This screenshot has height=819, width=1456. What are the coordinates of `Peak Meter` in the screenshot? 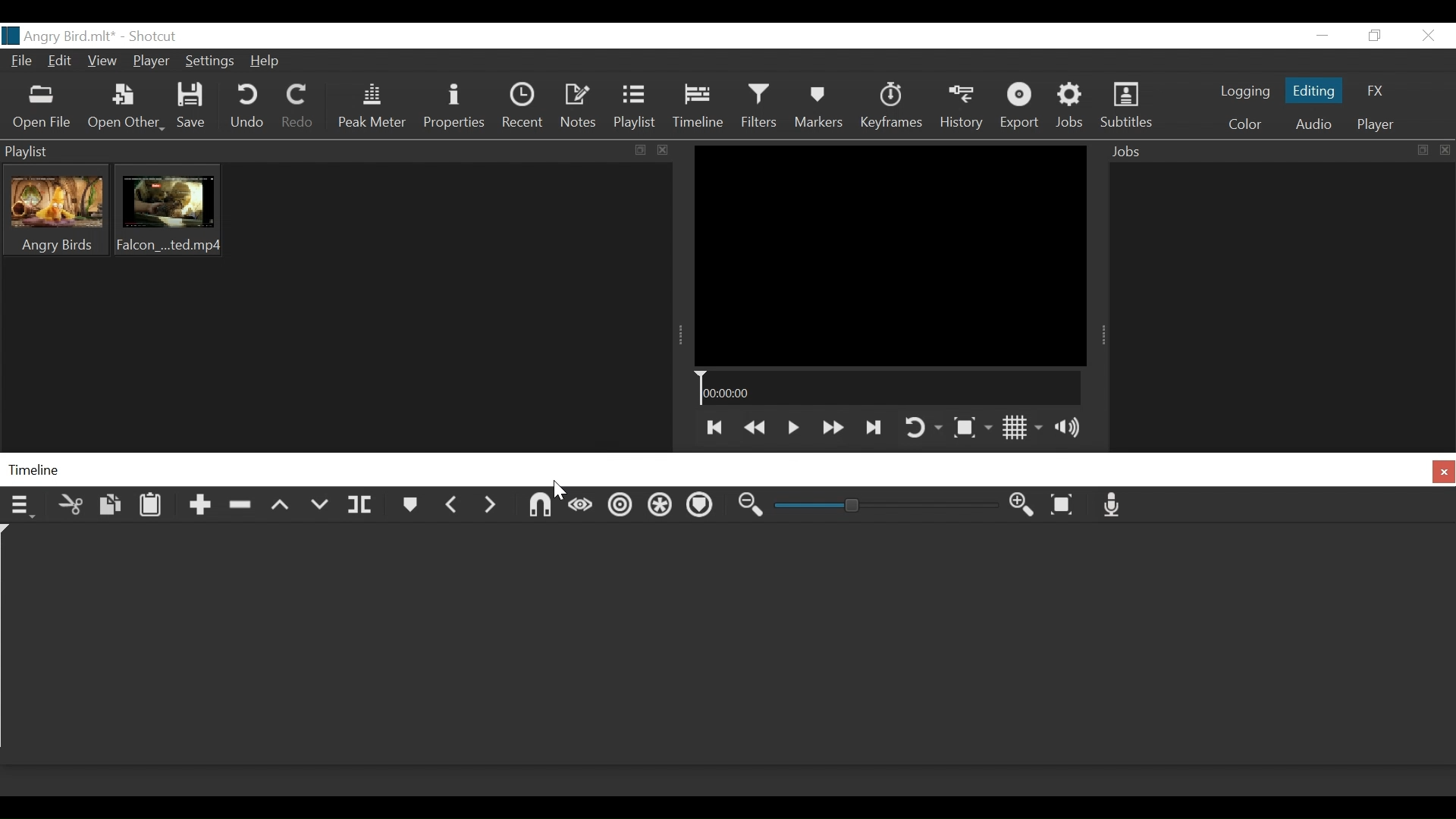 It's located at (374, 108).